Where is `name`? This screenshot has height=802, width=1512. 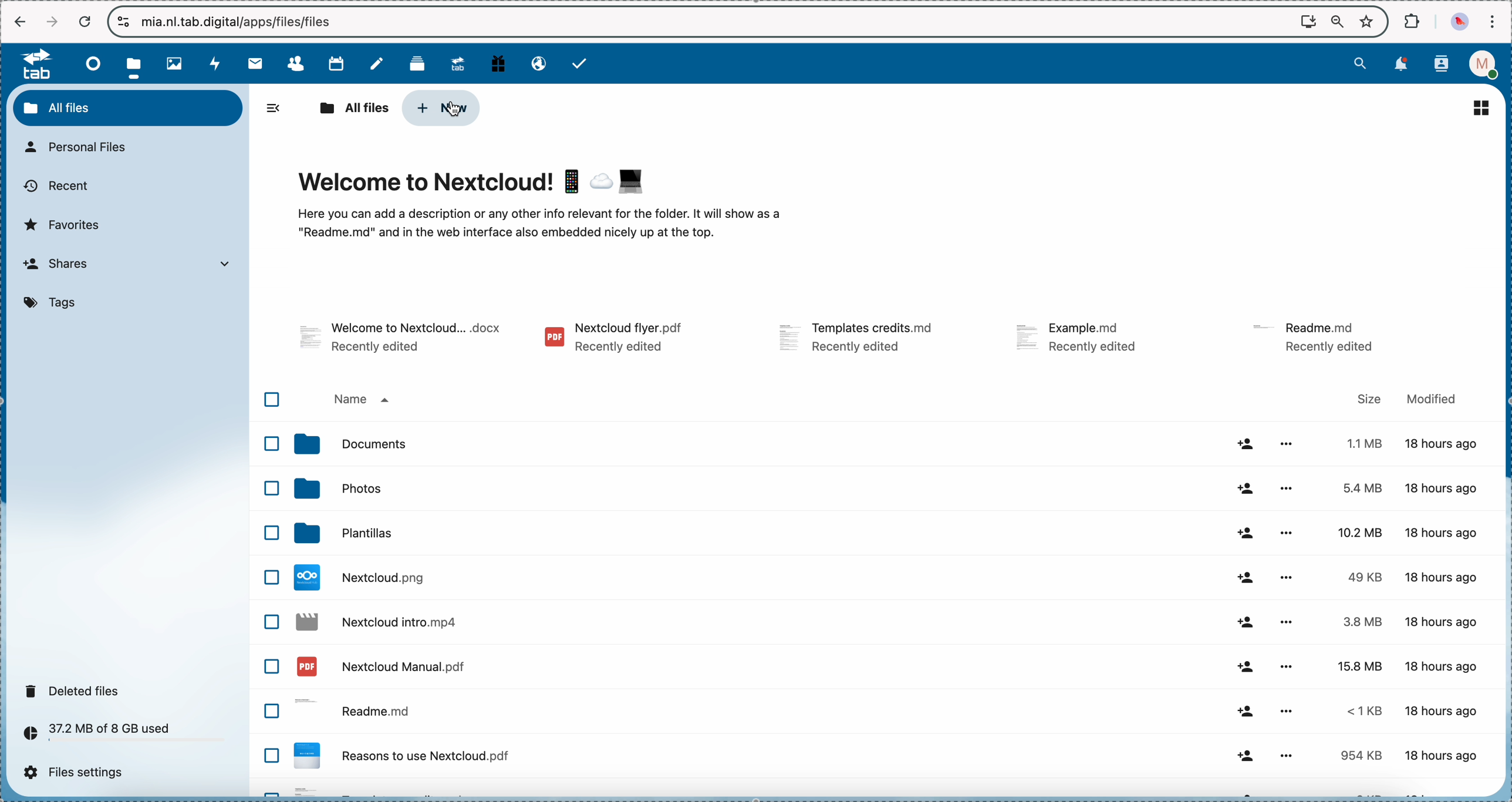 name is located at coordinates (362, 401).